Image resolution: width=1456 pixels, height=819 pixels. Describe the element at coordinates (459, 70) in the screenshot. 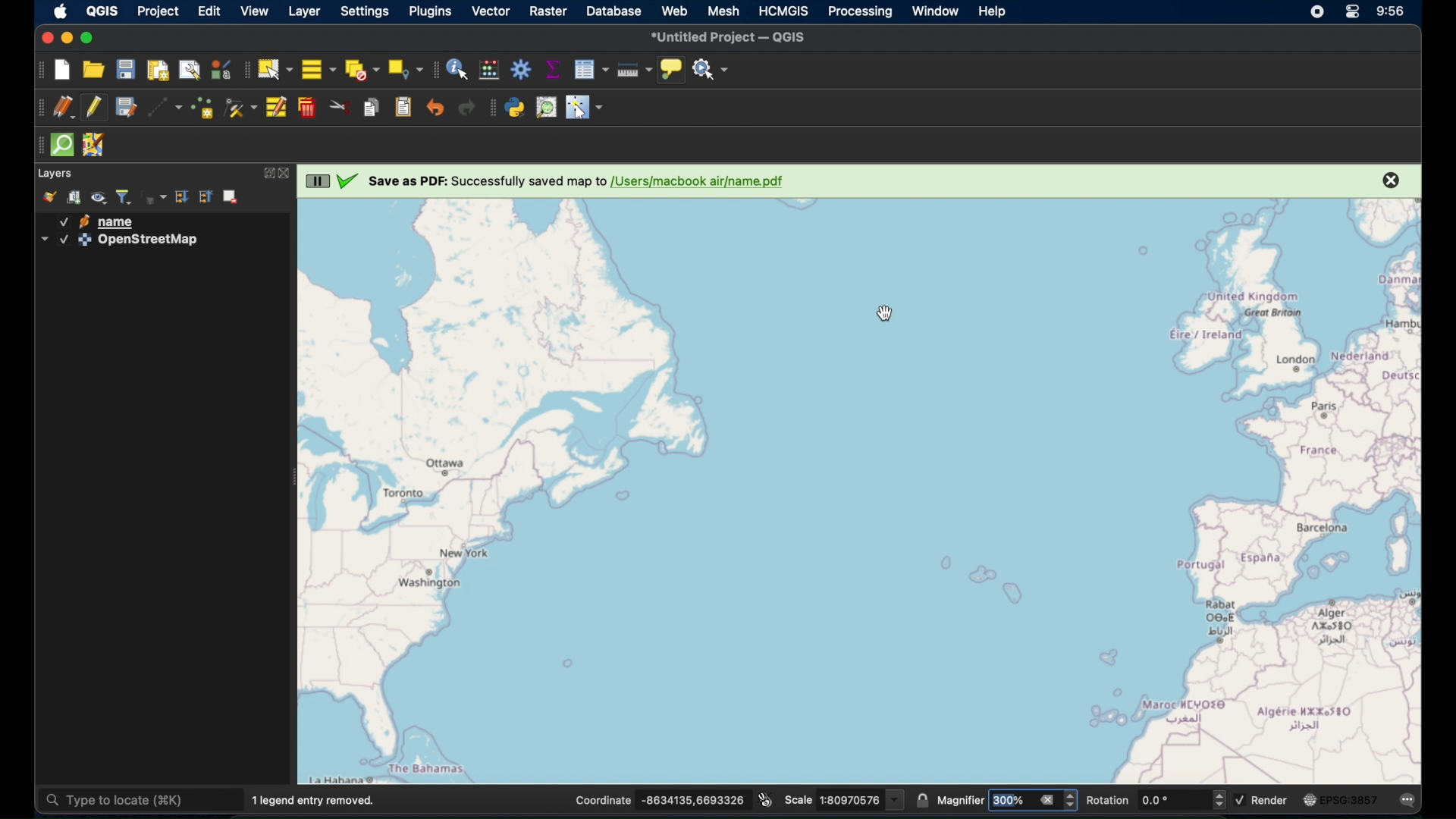

I see `identify features` at that location.